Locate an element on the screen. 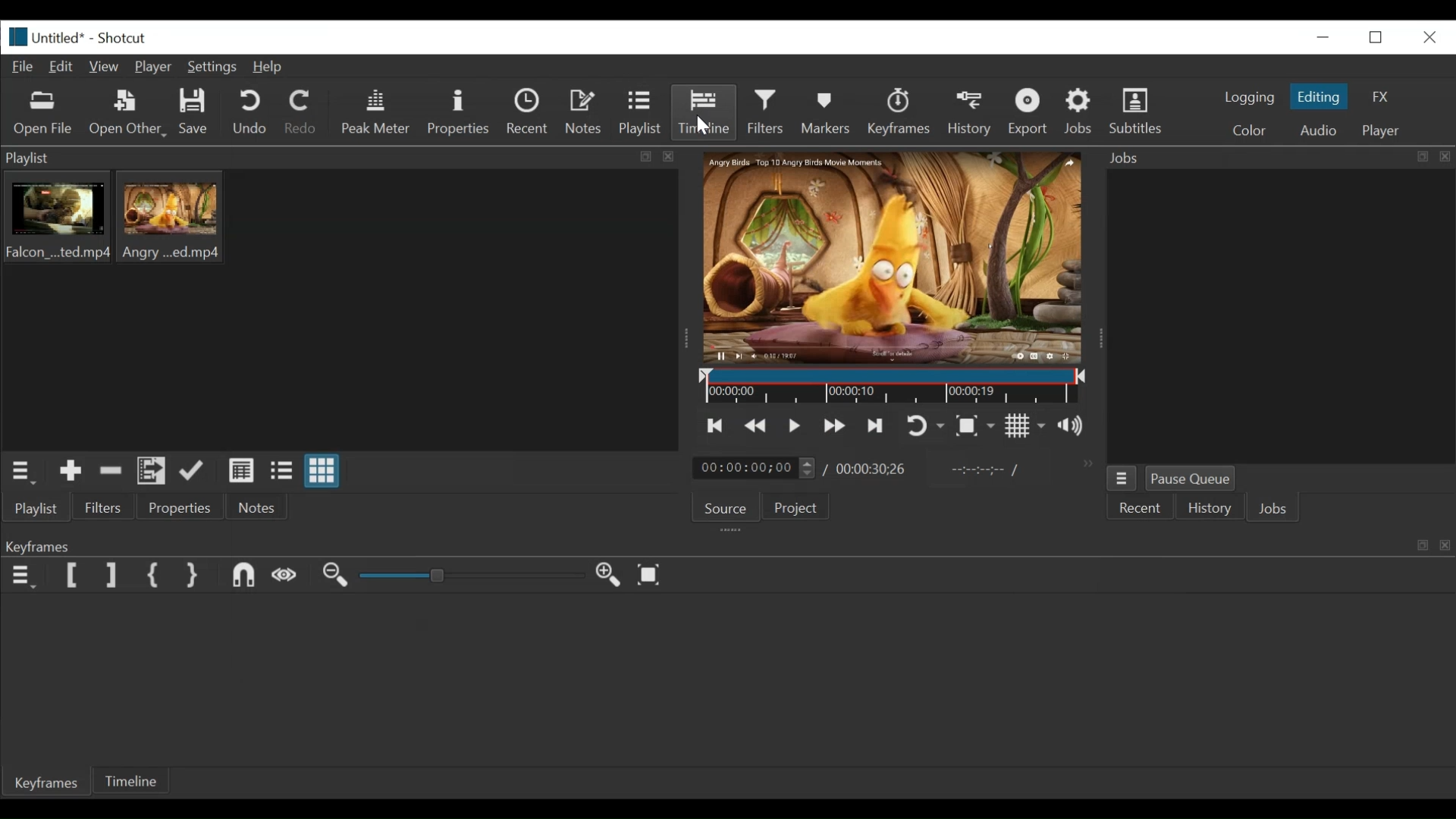 The width and height of the screenshot is (1456, 819). Open file is located at coordinates (43, 114).